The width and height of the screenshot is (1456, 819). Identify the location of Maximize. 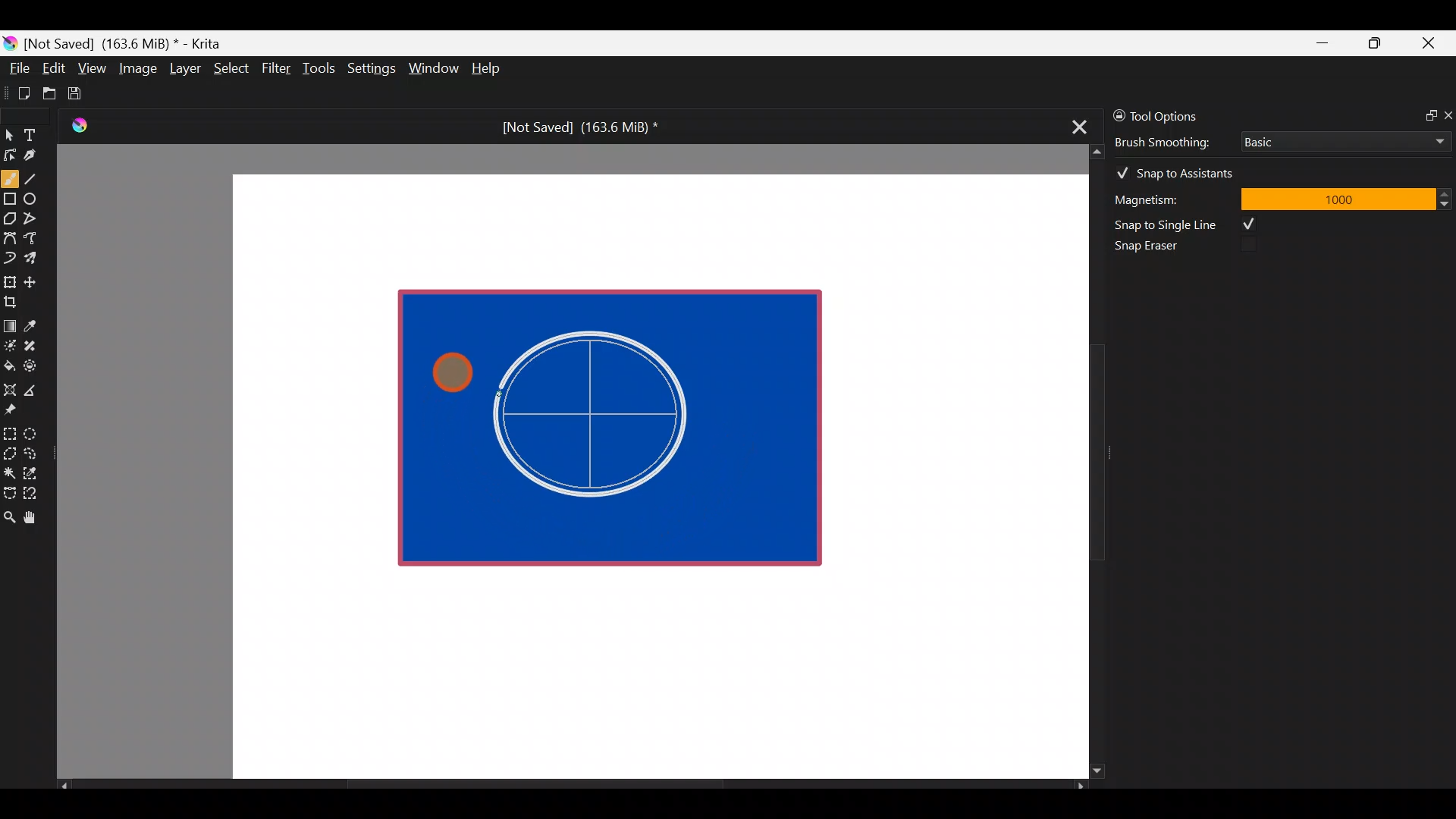
(1374, 42).